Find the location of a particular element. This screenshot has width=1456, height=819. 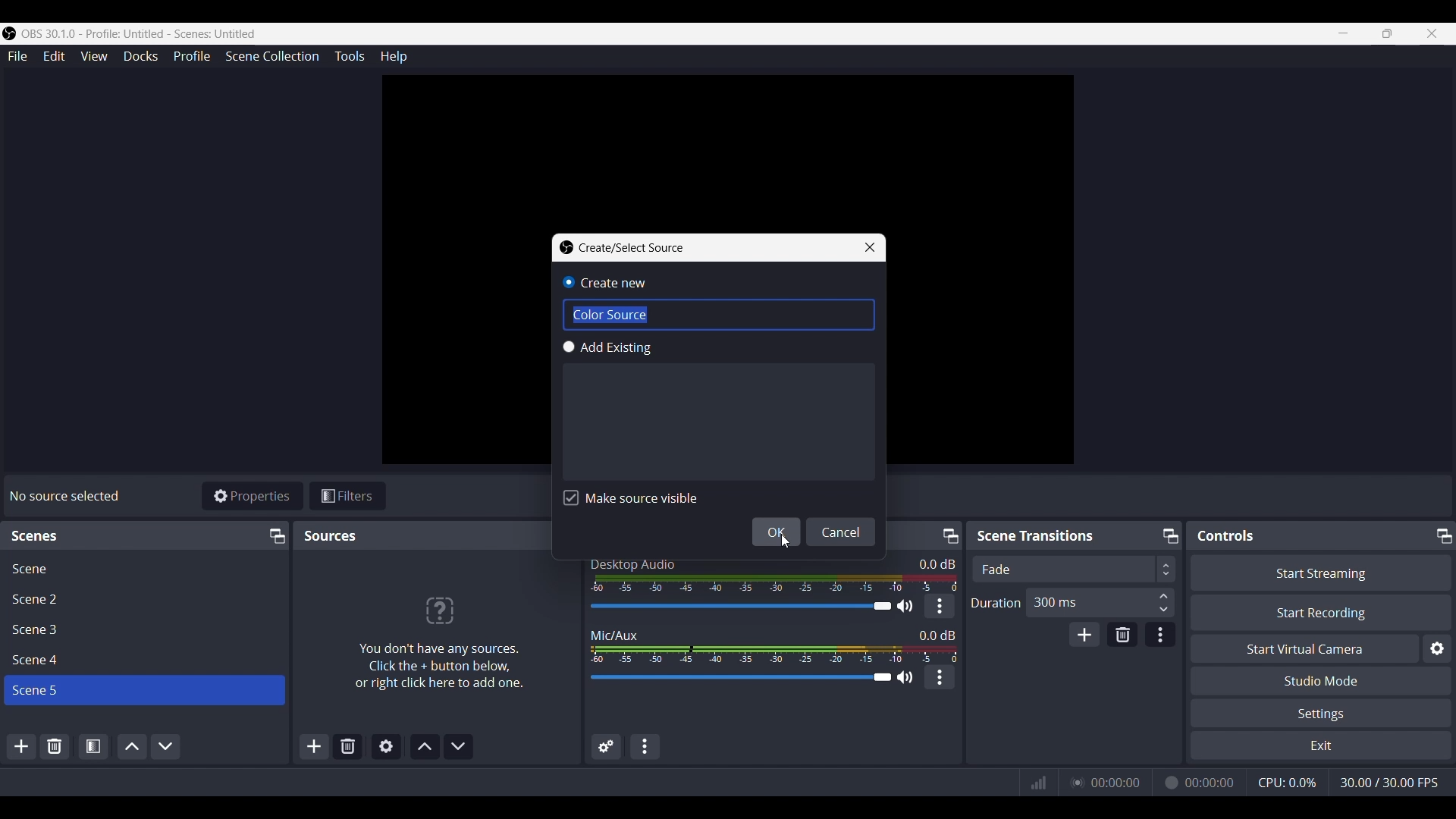

Cancel is located at coordinates (842, 532).